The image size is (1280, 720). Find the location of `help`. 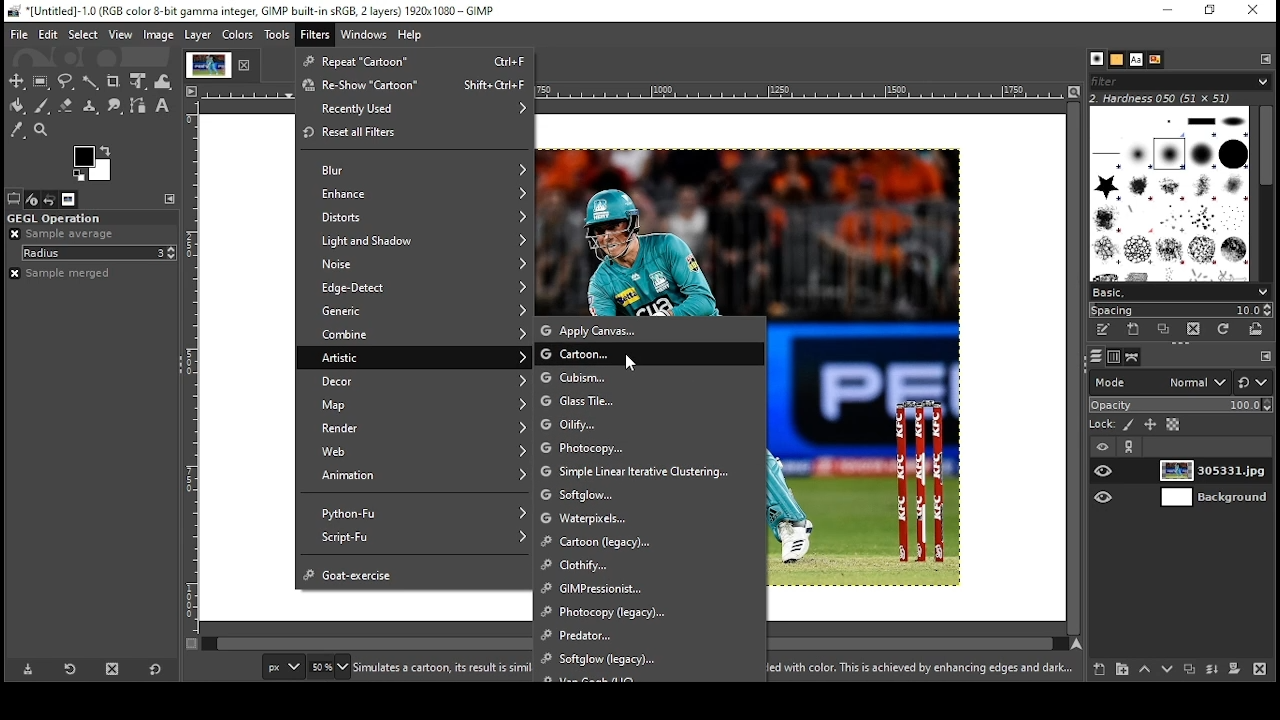

help is located at coordinates (412, 35).